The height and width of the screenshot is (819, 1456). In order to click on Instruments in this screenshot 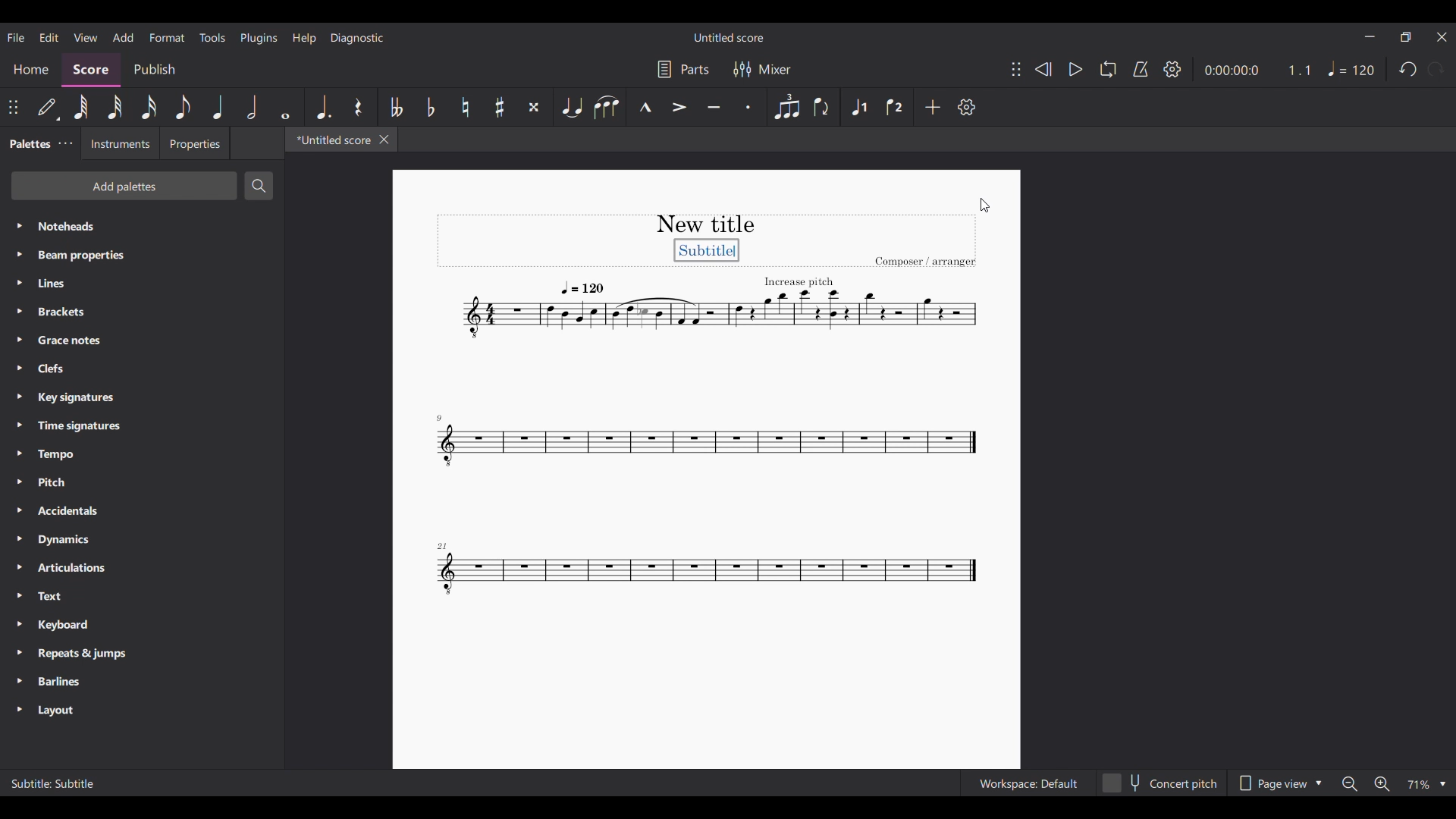, I will do `click(118, 143)`.